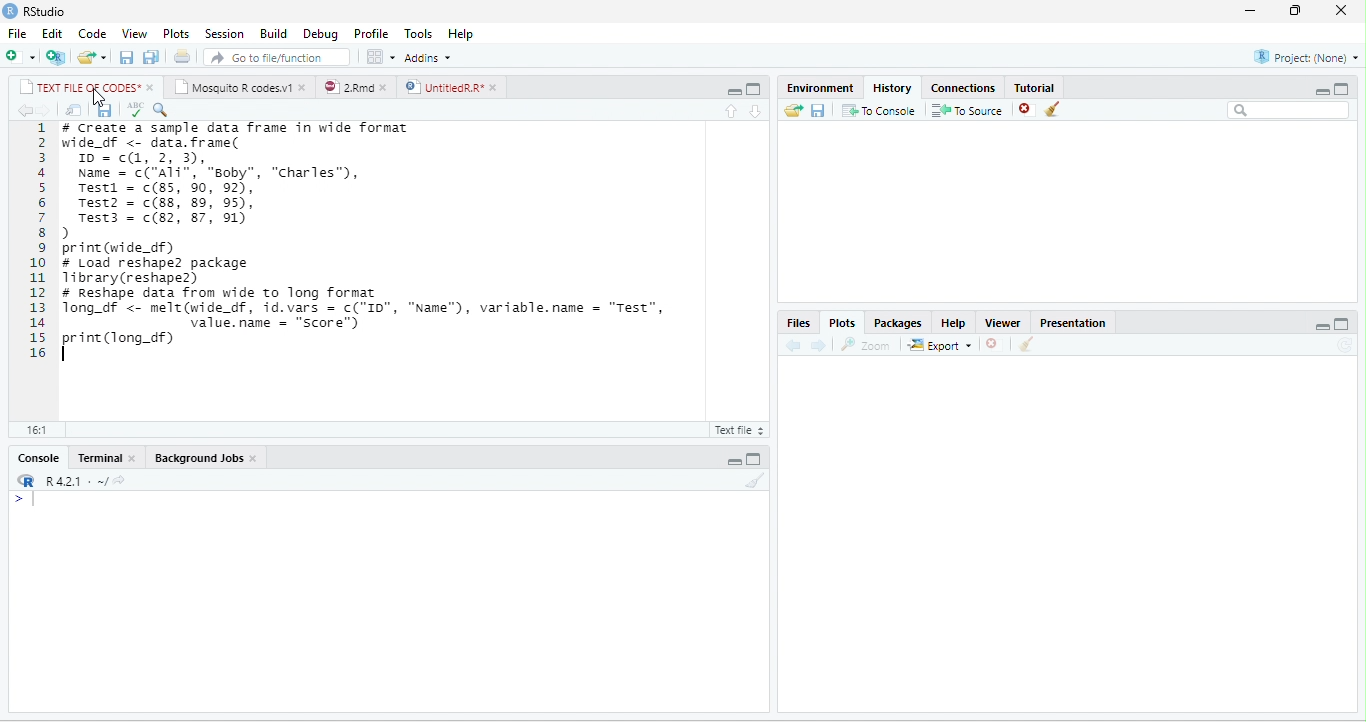 The width and height of the screenshot is (1366, 722). What do you see at coordinates (79, 86) in the screenshot?
I see `TEXT FILE OF CODES` at bounding box center [79, 86].